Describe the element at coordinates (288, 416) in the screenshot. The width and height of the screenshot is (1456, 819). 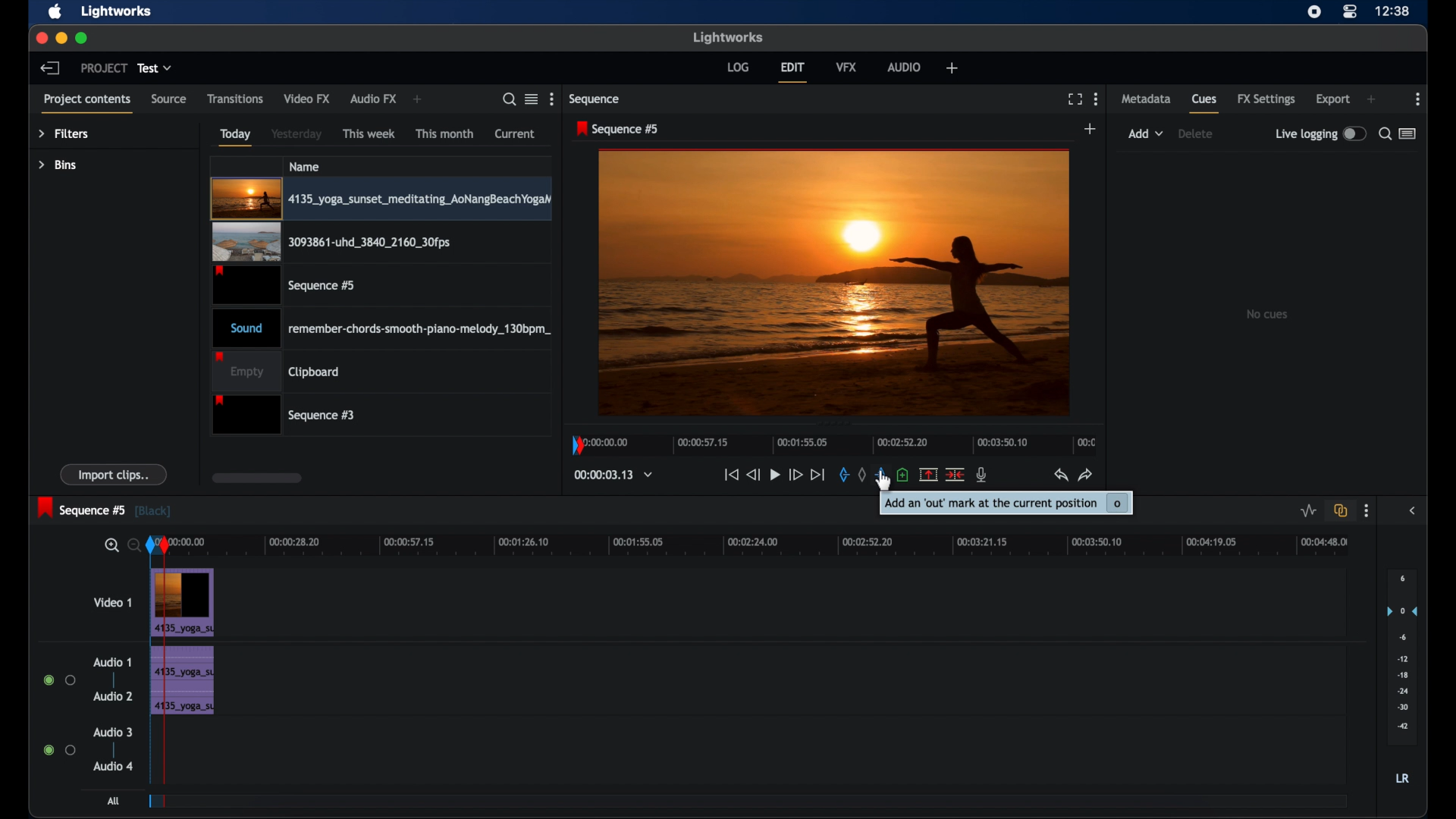
I see `sequence 3` at that location.